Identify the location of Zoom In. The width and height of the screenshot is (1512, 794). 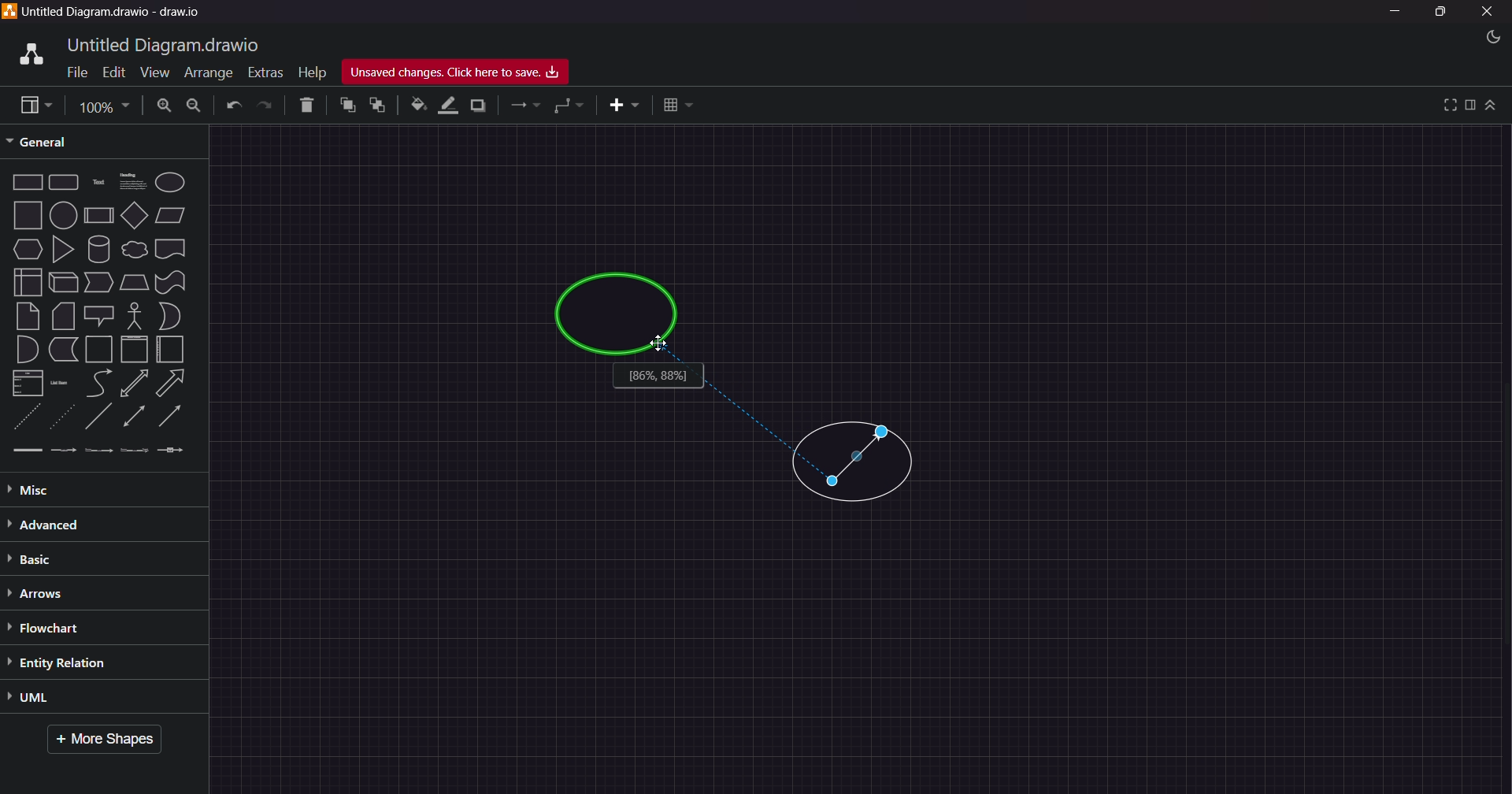
(165, 105).